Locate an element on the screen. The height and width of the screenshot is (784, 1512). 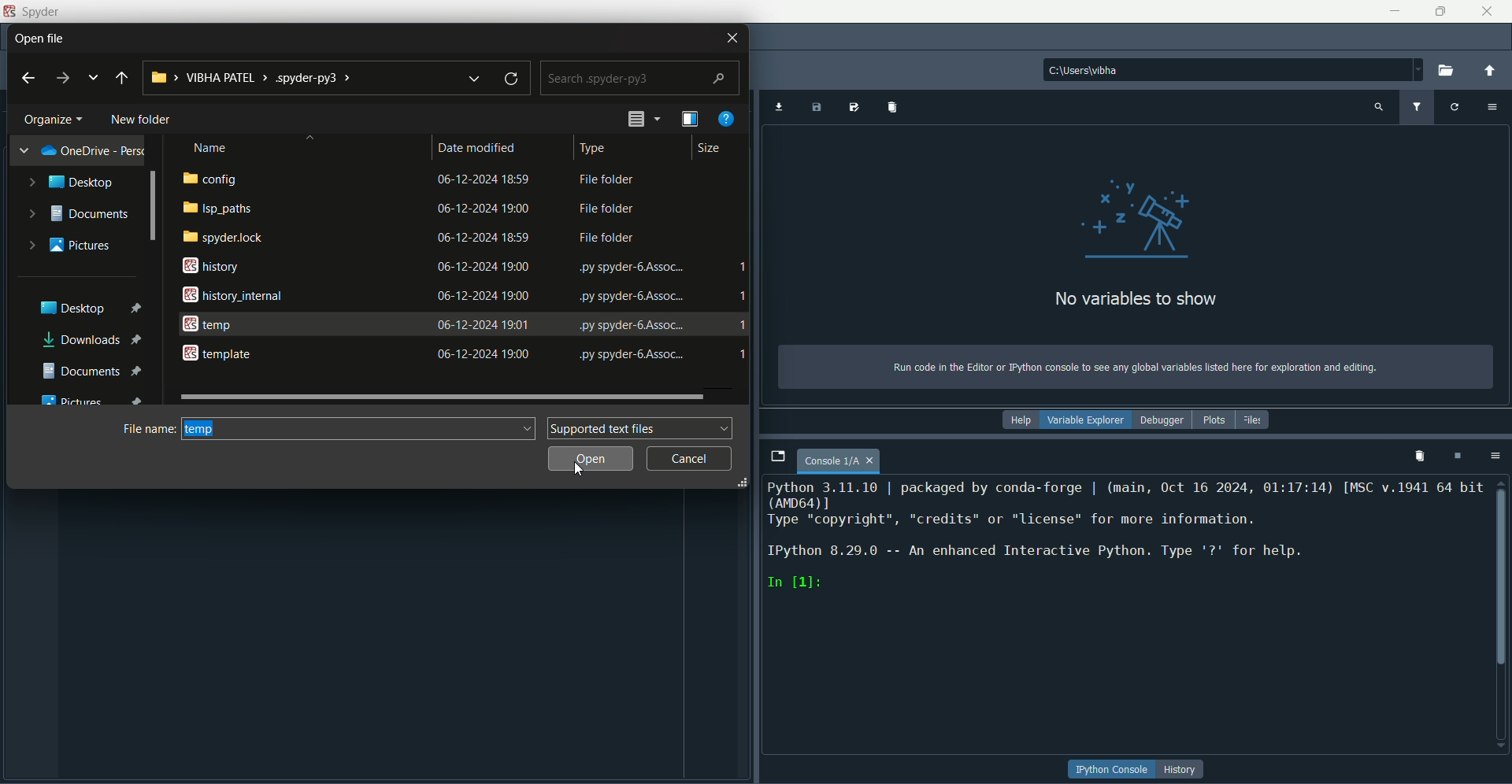
previous is located at coordinates (121, 80).